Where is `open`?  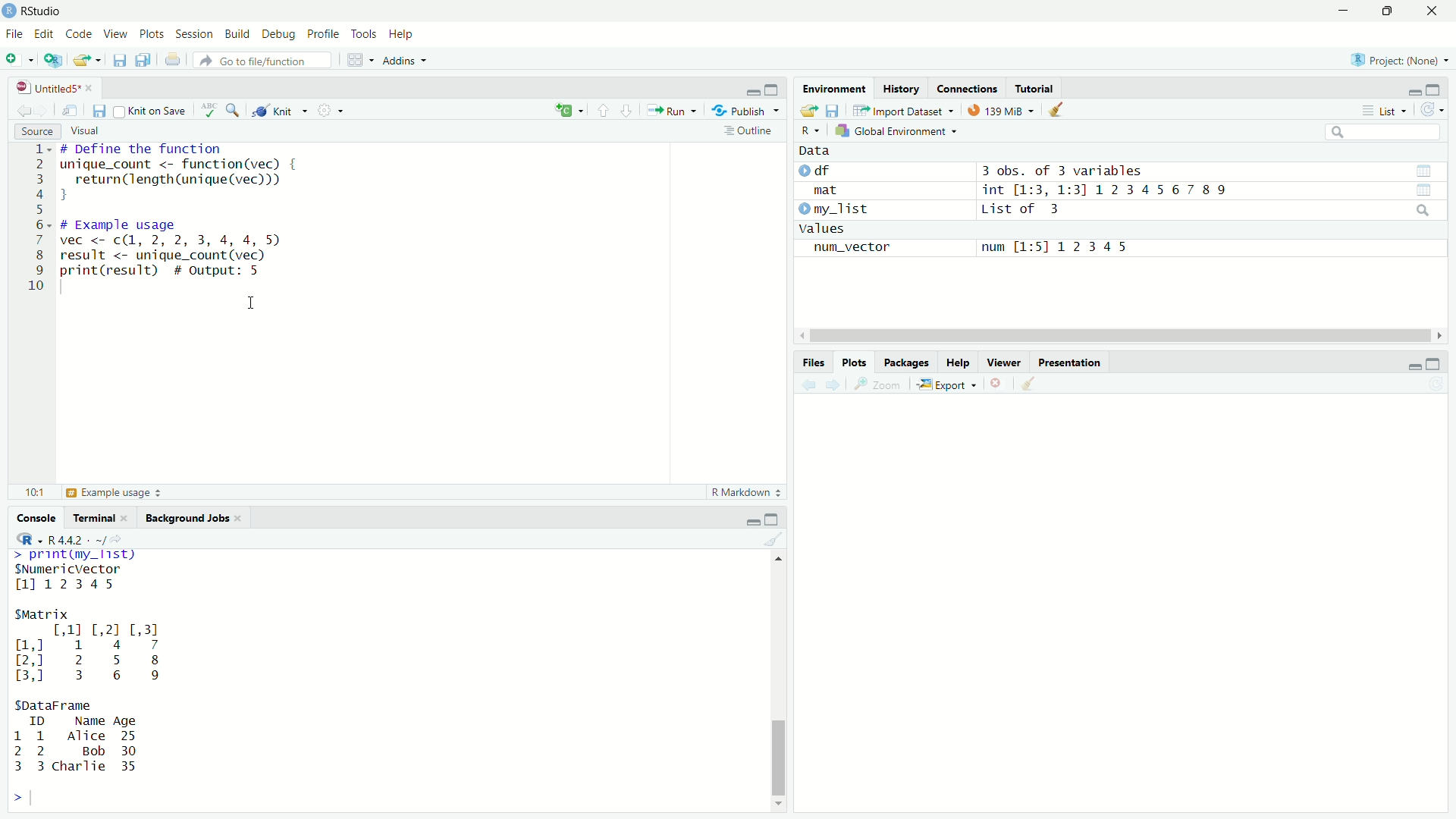
open is located at coordinates (807, 110).